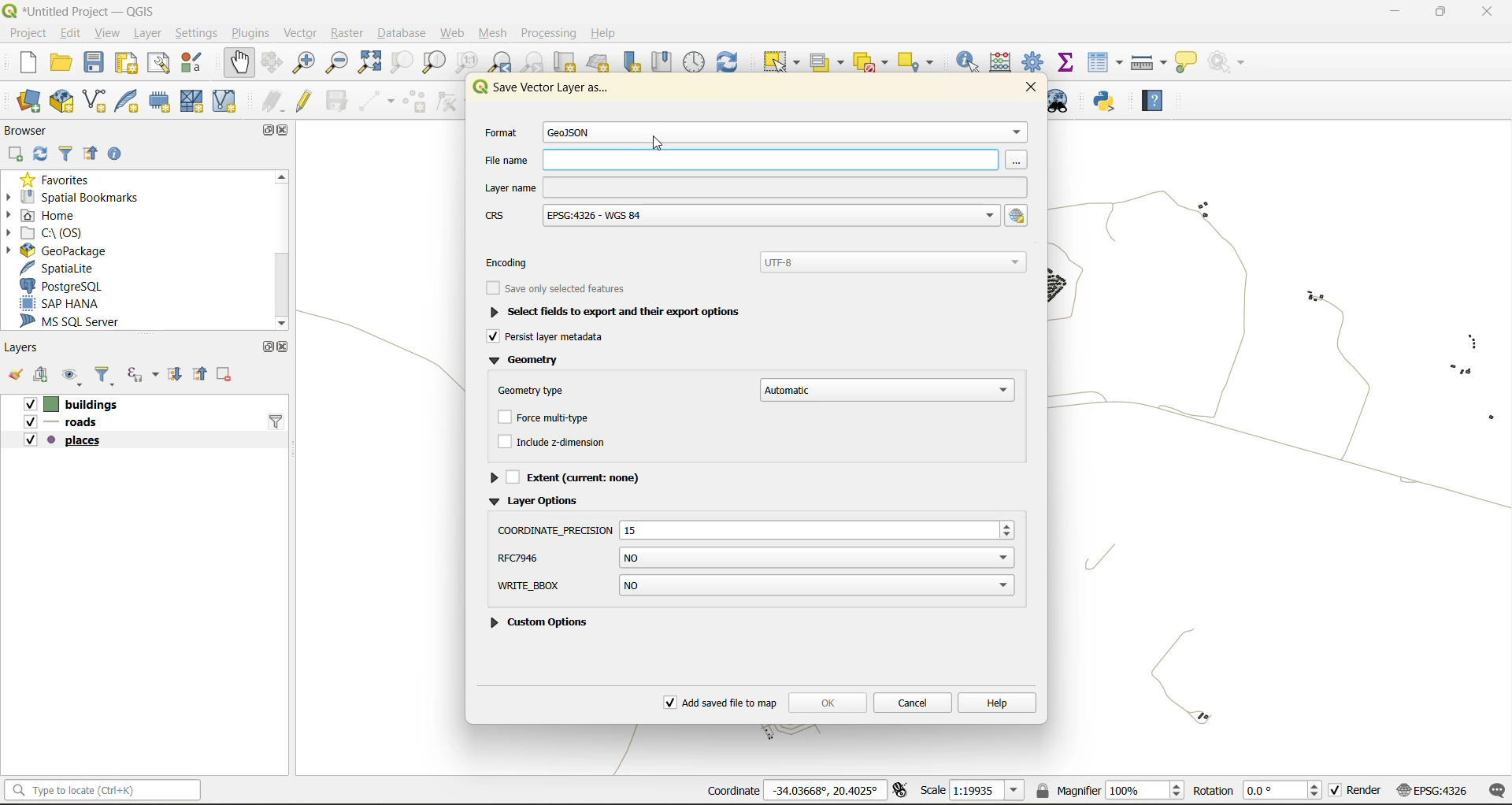 Image resolution: width=1512 pixels, height=805 pixels. I want to click on cursor, so click(660, 143).